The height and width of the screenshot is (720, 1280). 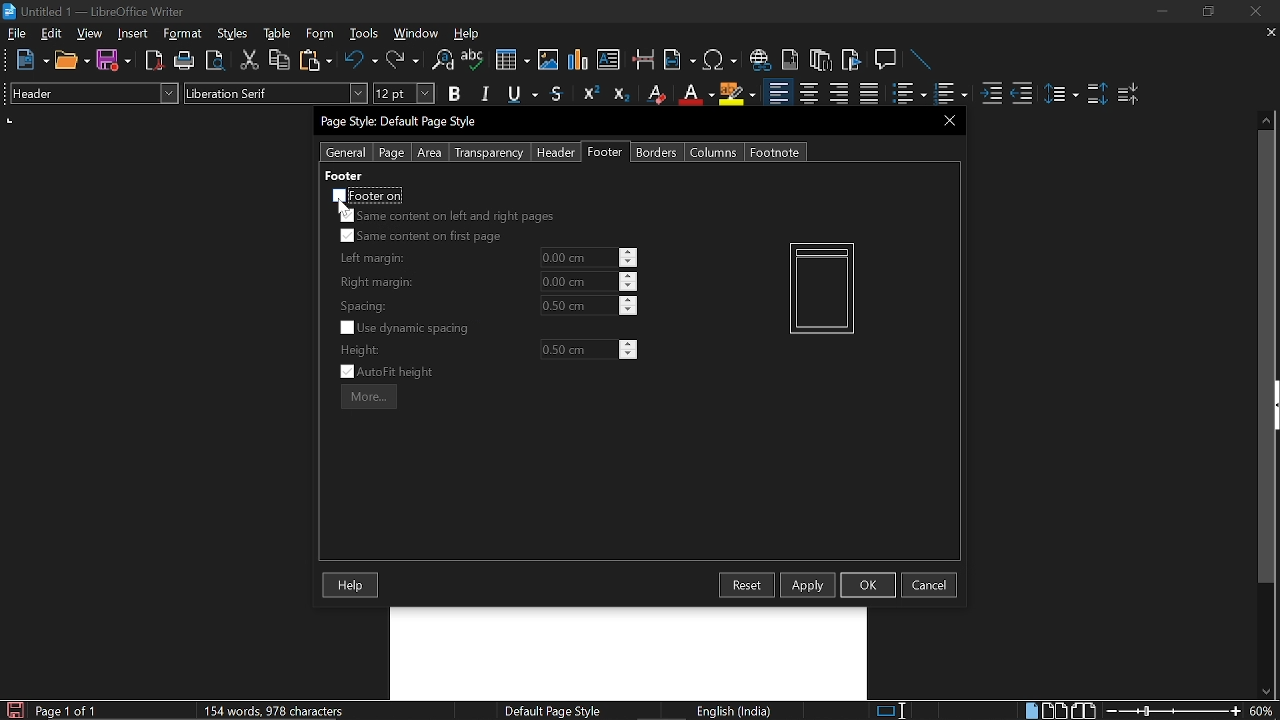 What do you see at coordinates (1086, 710) in the screenshot?
I see `Book view` at bounding box center [1086, 710].